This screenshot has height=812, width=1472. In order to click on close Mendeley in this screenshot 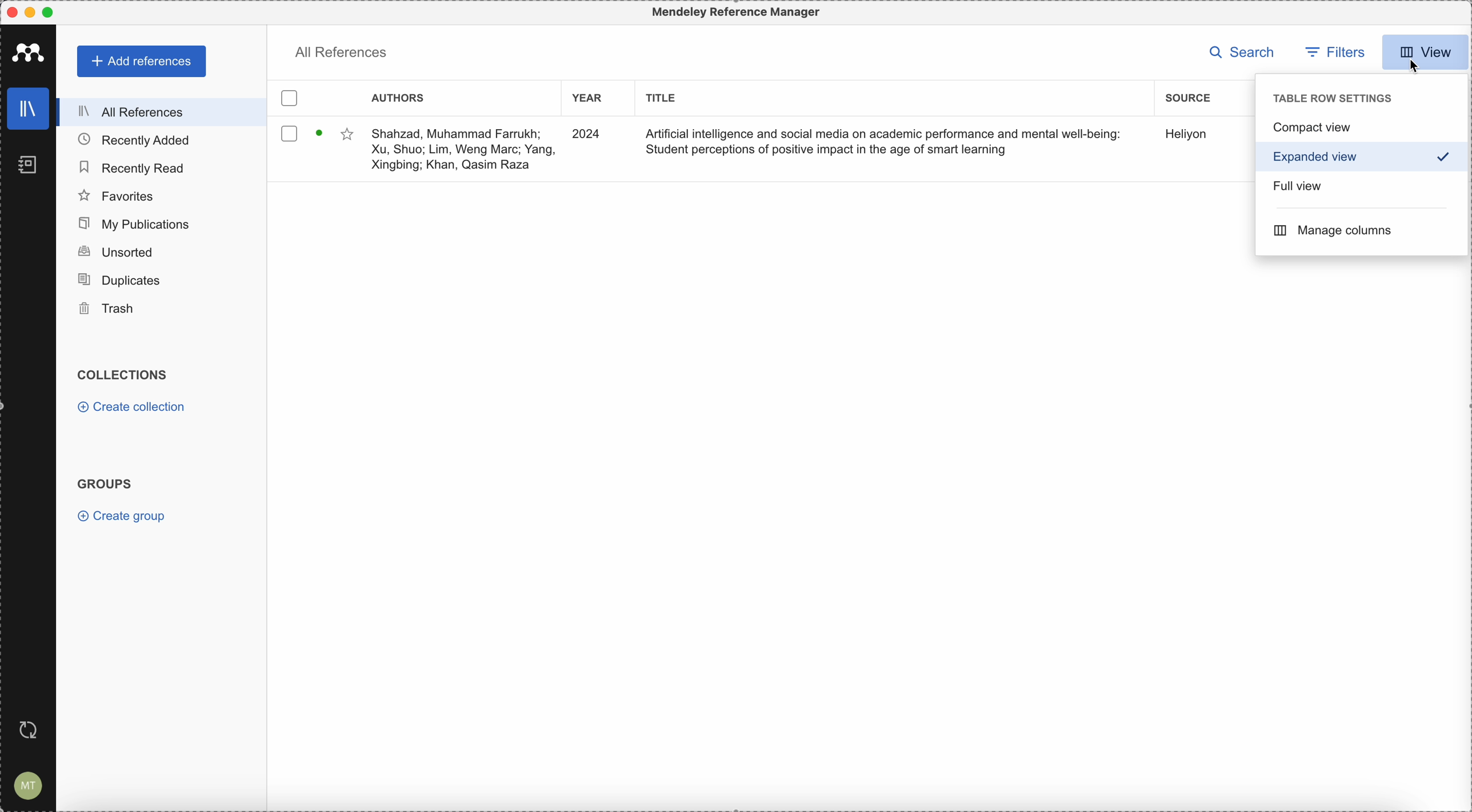, I will do `click(14, 13)`.